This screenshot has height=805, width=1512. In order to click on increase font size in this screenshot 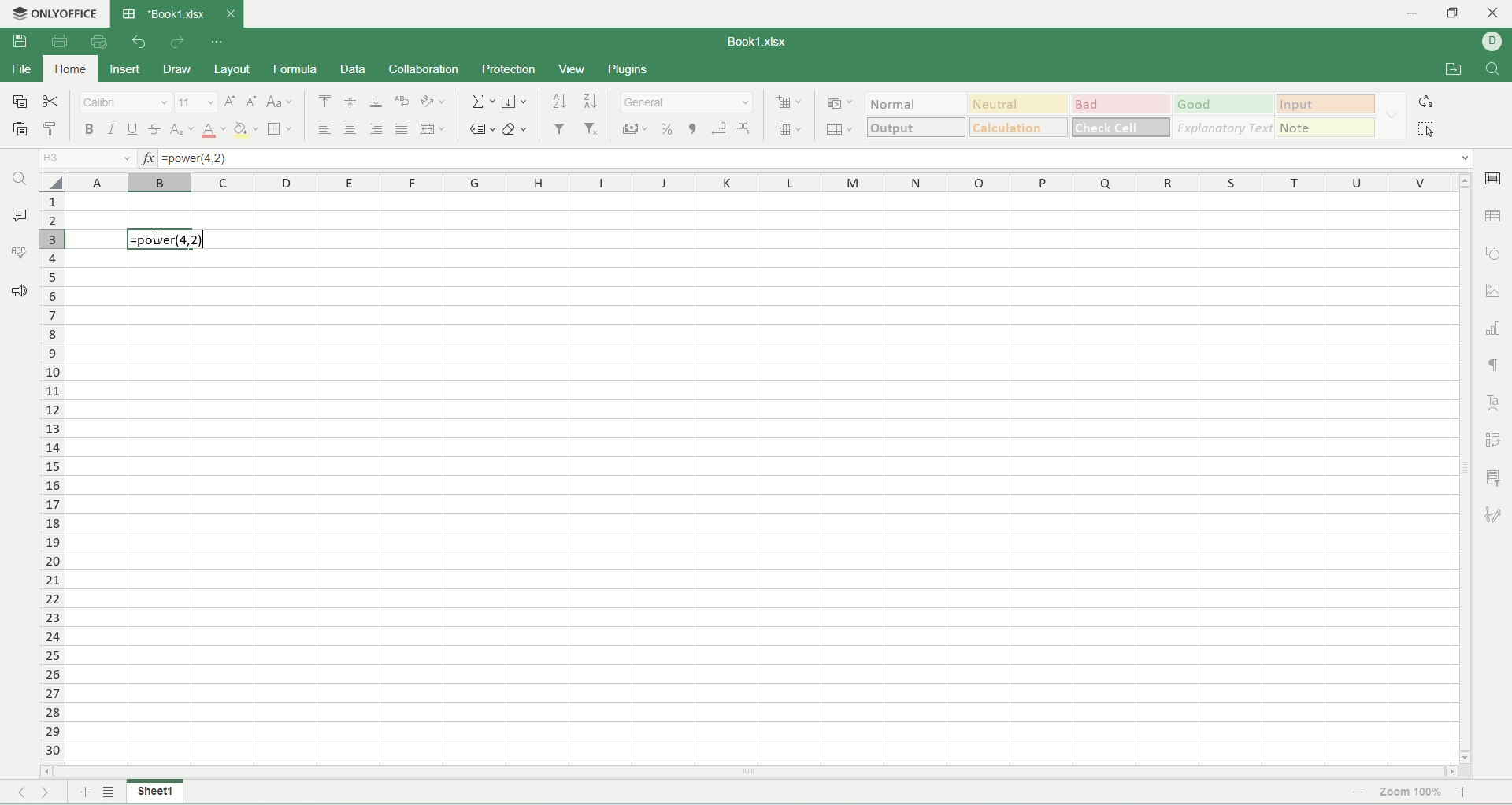, I will do `click(230, 103)`.